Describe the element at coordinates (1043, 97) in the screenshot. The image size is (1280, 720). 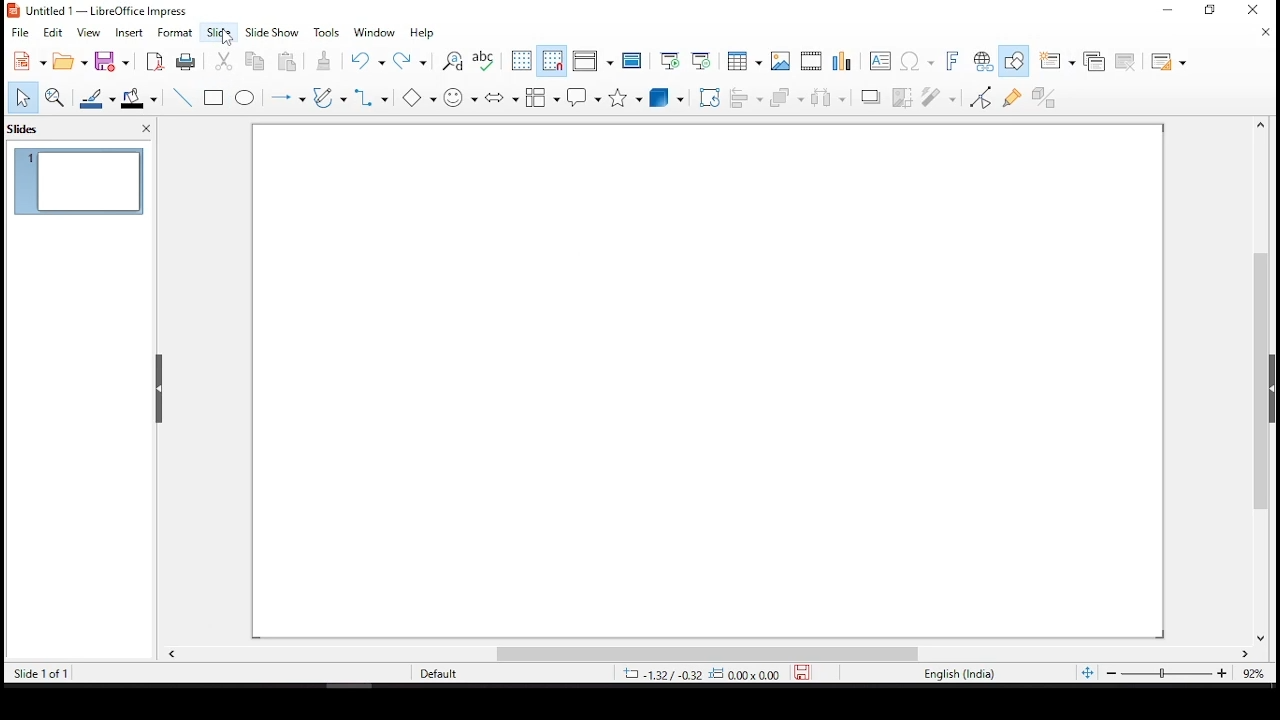
I see `toggle extrusion` at that location.